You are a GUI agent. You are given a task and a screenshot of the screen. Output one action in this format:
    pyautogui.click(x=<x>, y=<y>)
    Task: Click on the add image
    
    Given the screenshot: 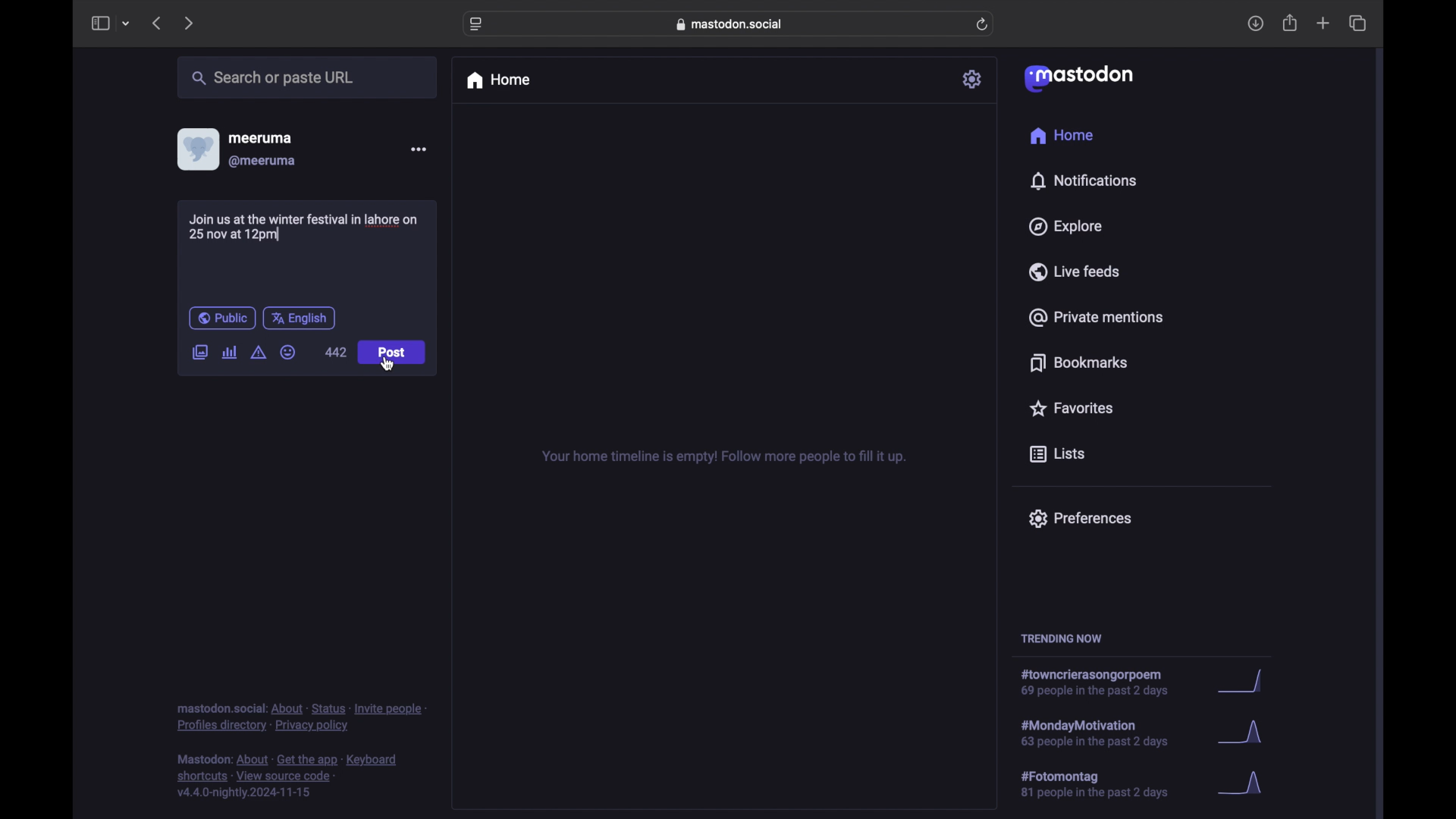 What is the action you would take?
    pyautogui.click(x=199, y=353)
    